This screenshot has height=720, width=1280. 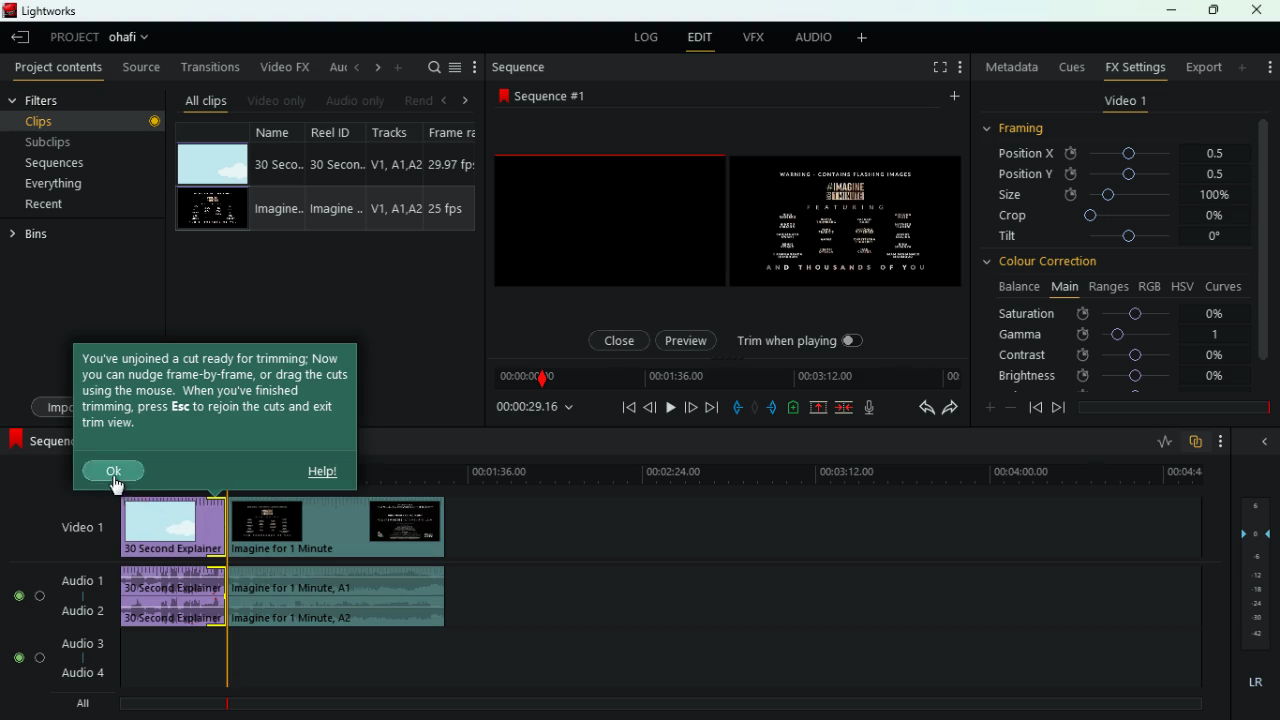 What do you see at coordinates (548, 95) in the screenshot?
I see `sequence` at bounding box center [548, 95].